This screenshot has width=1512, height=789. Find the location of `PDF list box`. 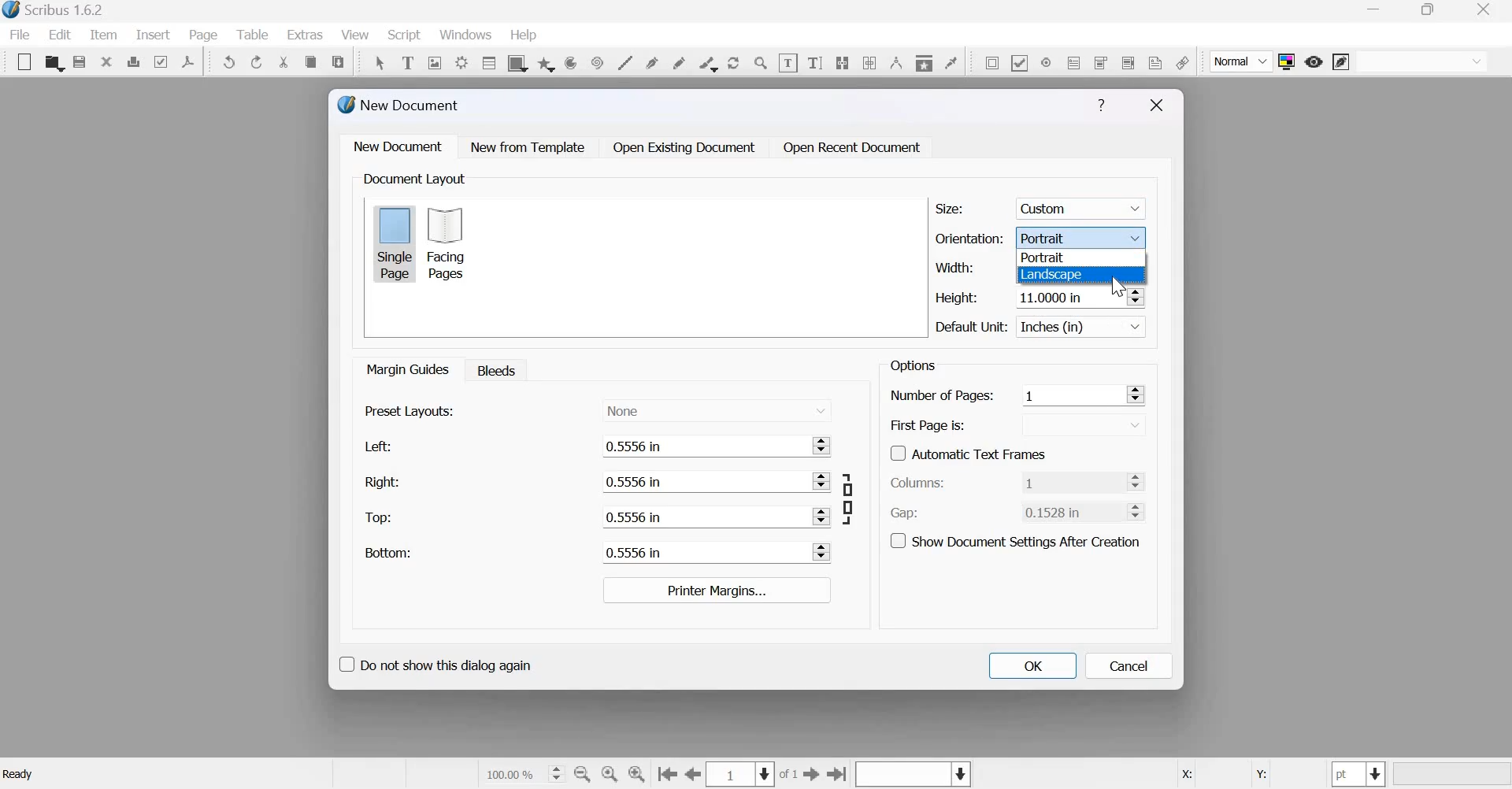

PDF list box is located at coordinates (1127, 61).